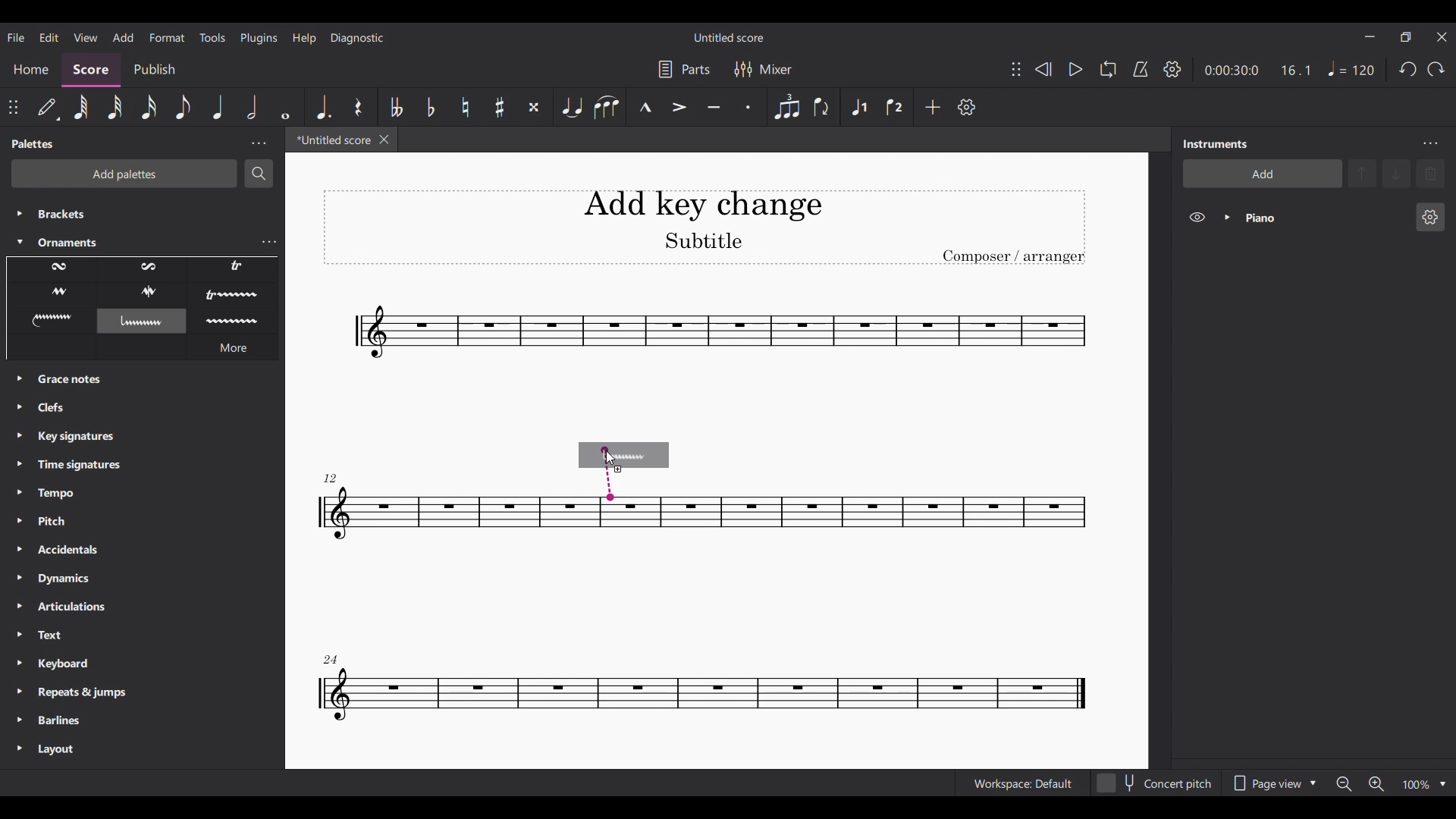 The image size is (1456, 819). I want to click on Toggle natural, so click(463, 108).